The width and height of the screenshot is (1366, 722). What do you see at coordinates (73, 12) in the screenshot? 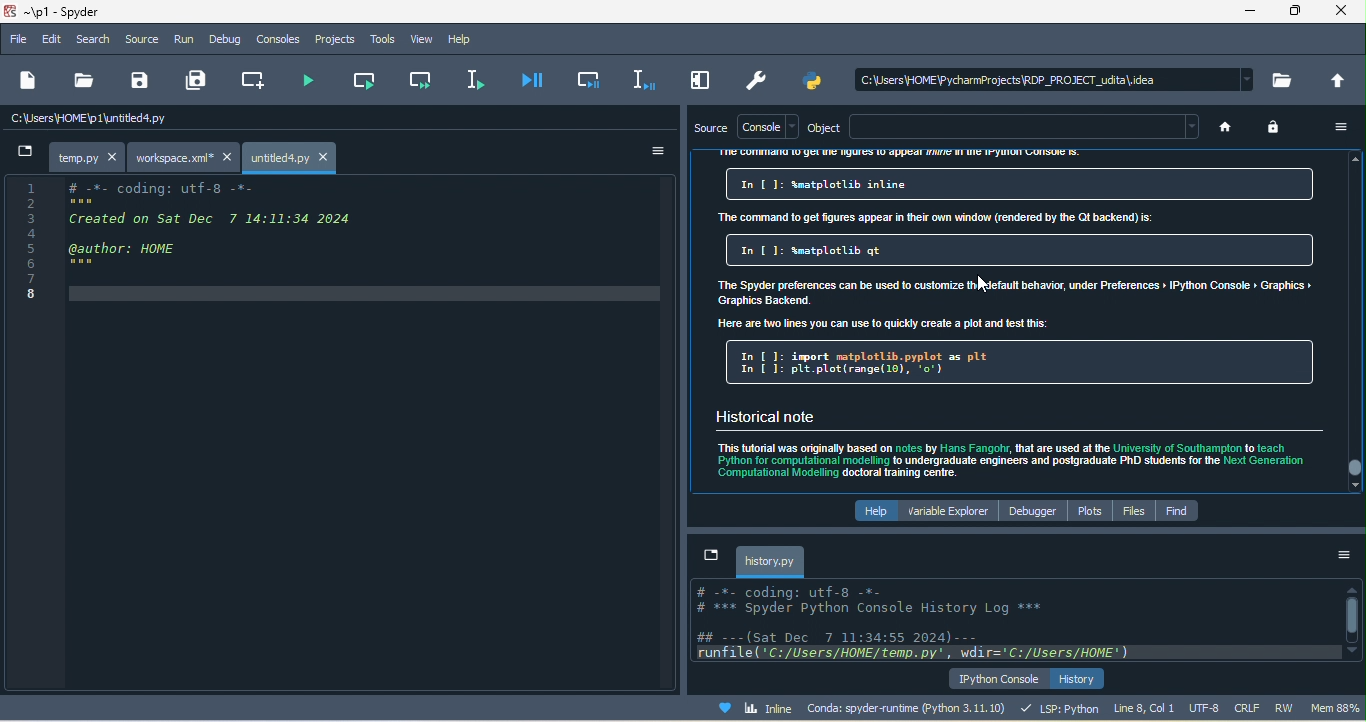
I see `title` at bounding box center [73, 12].